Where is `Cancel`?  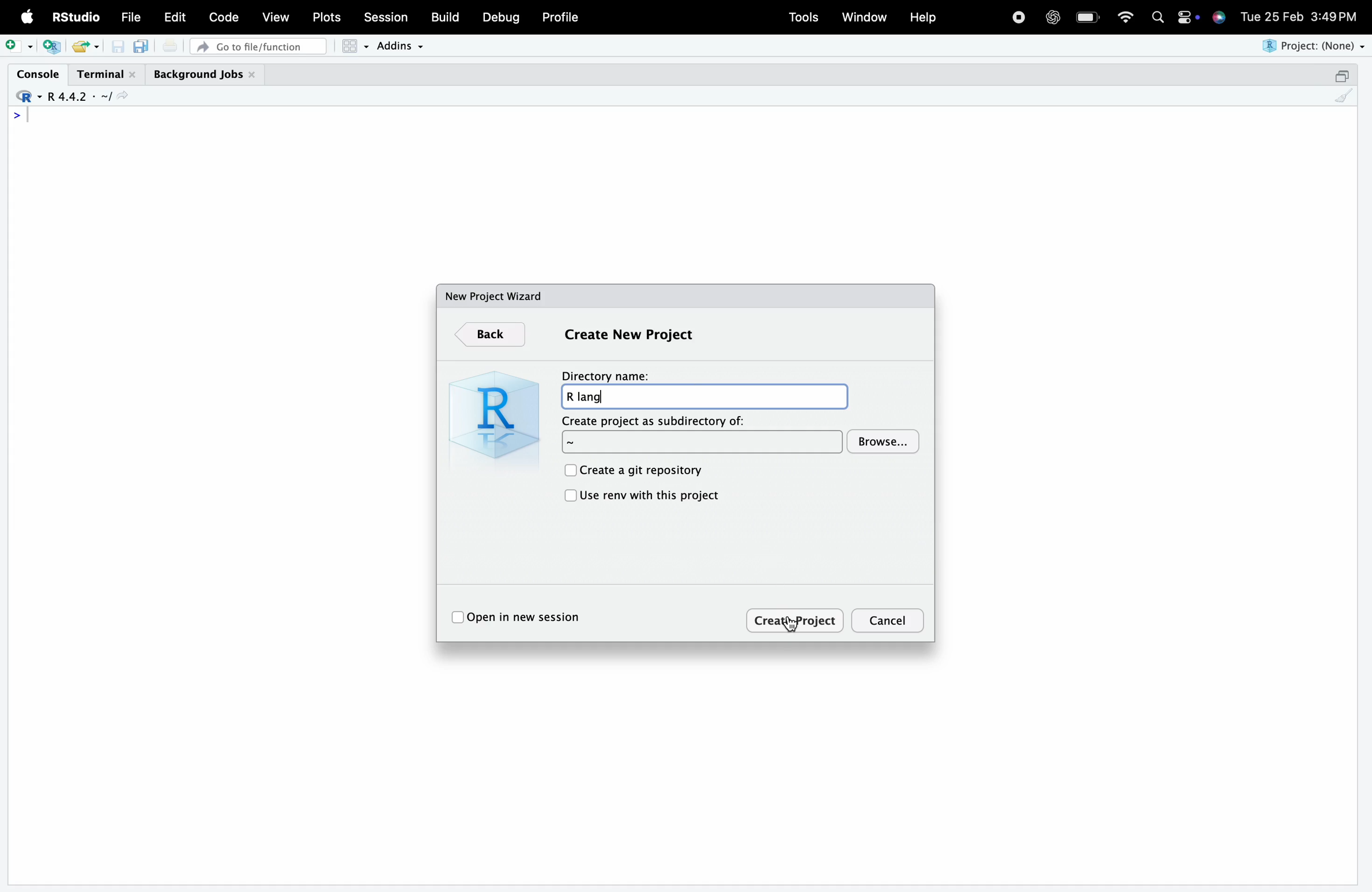
Cancel is located at coordinates (889, 621).